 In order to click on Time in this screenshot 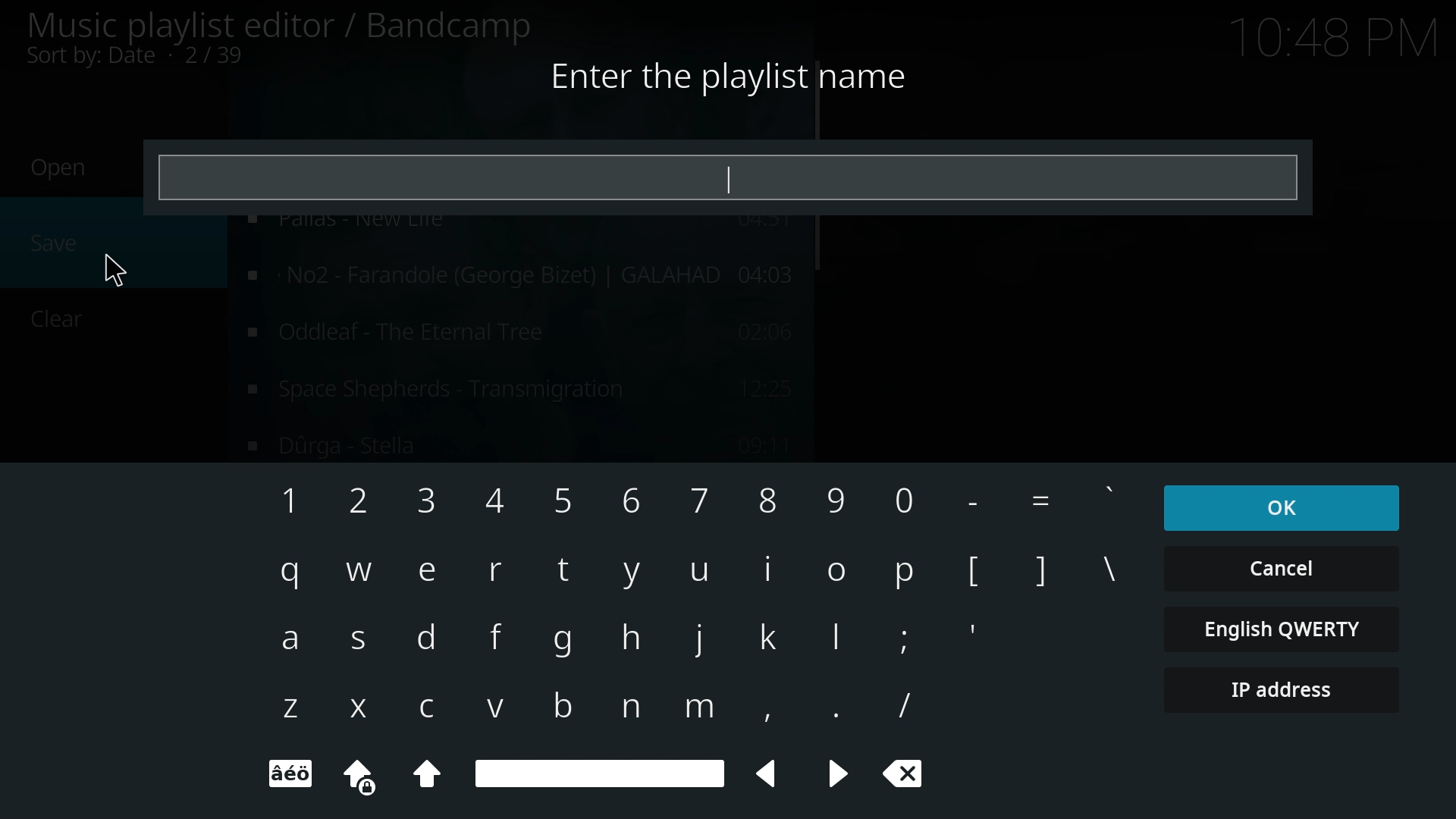, I will do `click(1334, 36)`.